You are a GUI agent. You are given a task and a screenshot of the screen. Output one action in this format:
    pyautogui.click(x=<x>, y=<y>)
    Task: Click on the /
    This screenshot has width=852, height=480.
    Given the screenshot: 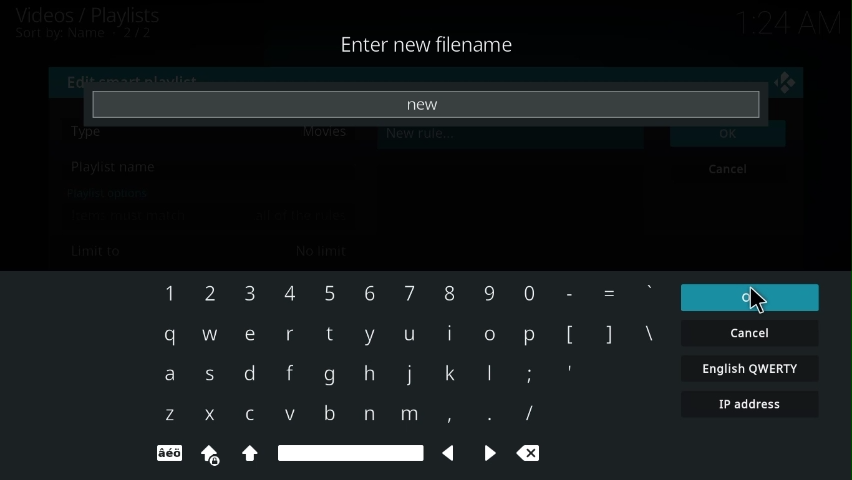 What is the action you would take?
    pyautogui.click(x=527, y=412)
    